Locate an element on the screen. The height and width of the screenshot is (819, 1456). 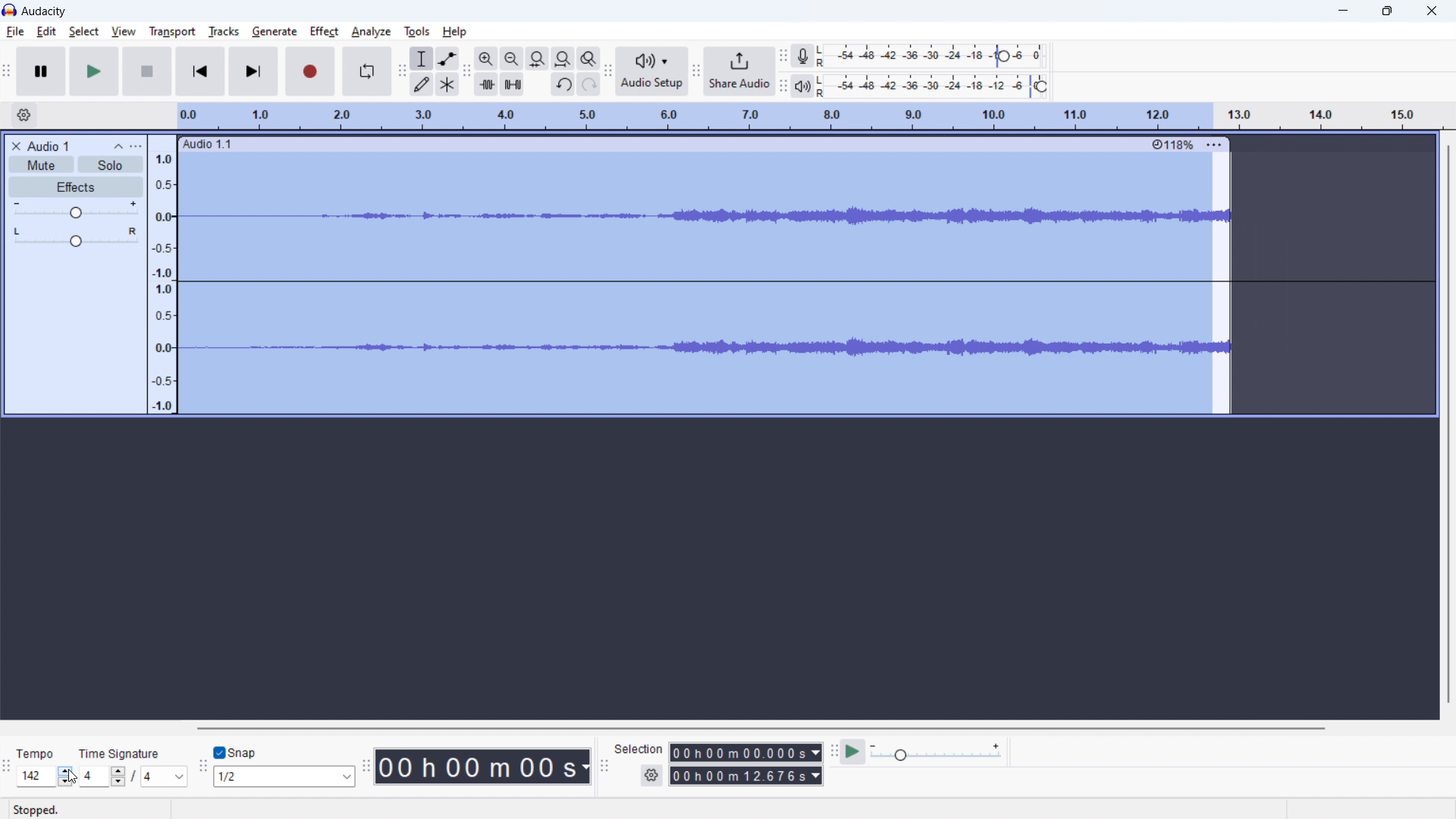
LR is located at coordinates (824, 86).